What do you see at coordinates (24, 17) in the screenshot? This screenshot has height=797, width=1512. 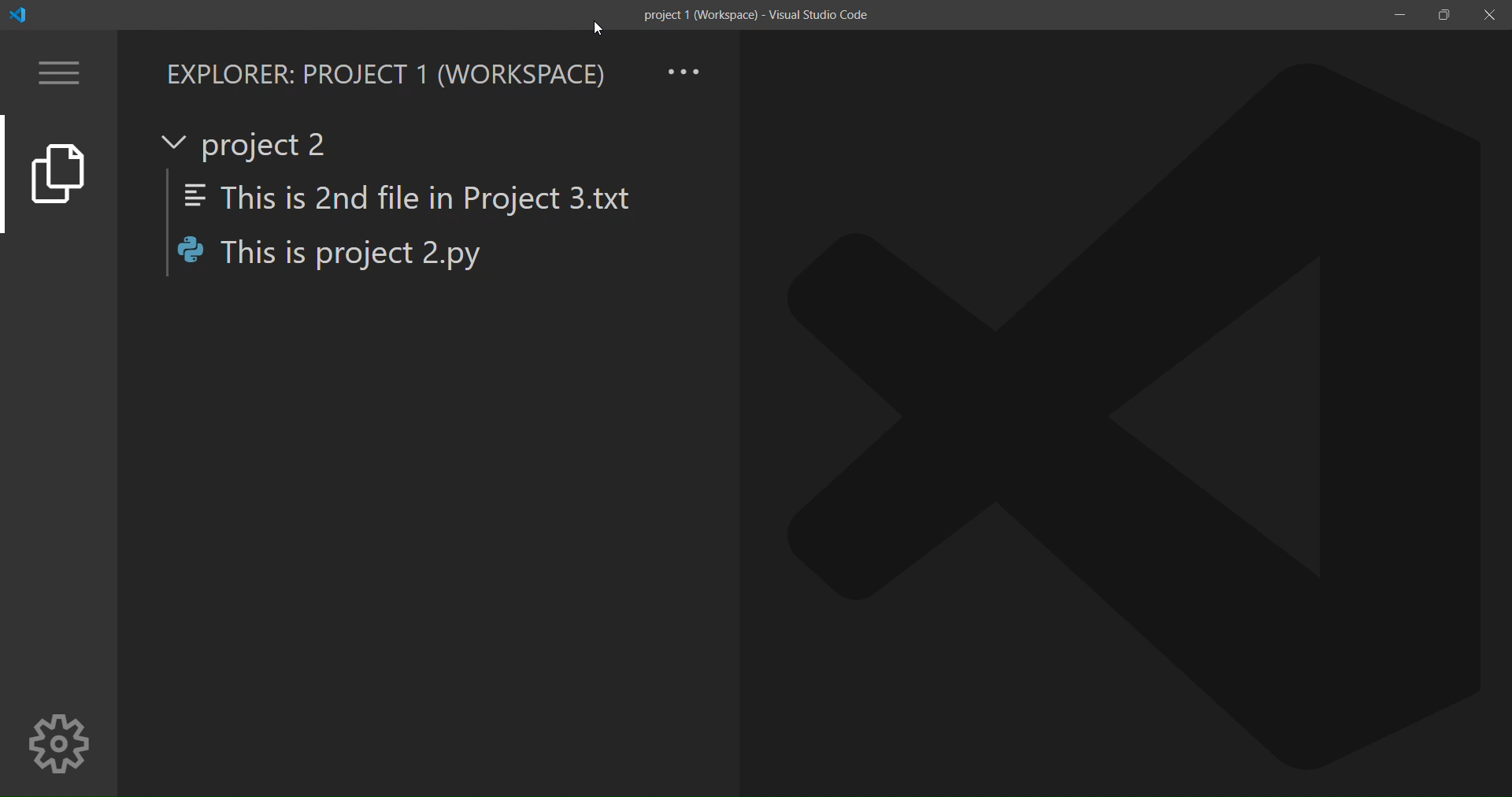 I see `logo` at bounding box center [24, 17].